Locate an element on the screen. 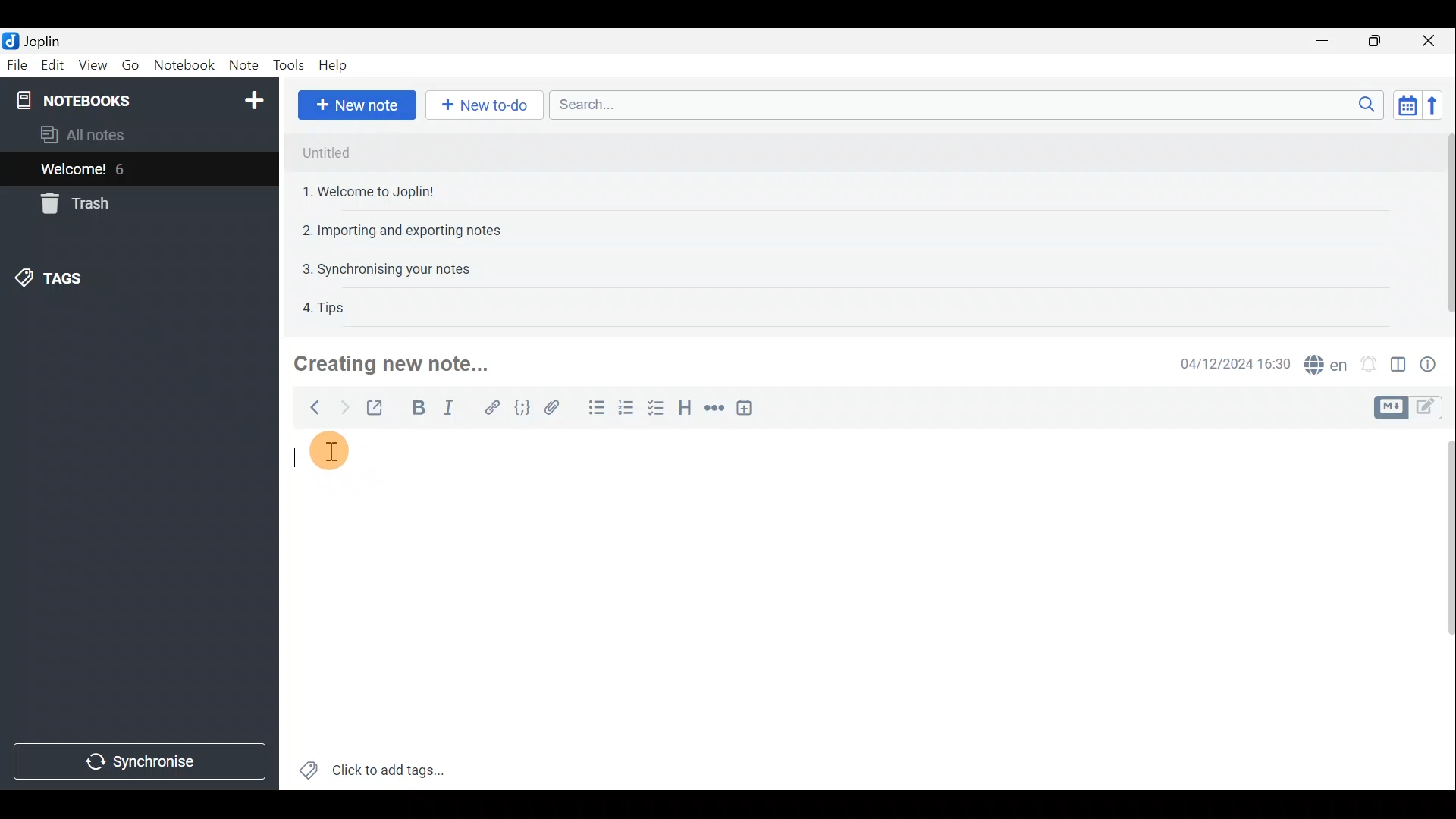  3. Synchronising your notes is located at coordinates (386, 268).